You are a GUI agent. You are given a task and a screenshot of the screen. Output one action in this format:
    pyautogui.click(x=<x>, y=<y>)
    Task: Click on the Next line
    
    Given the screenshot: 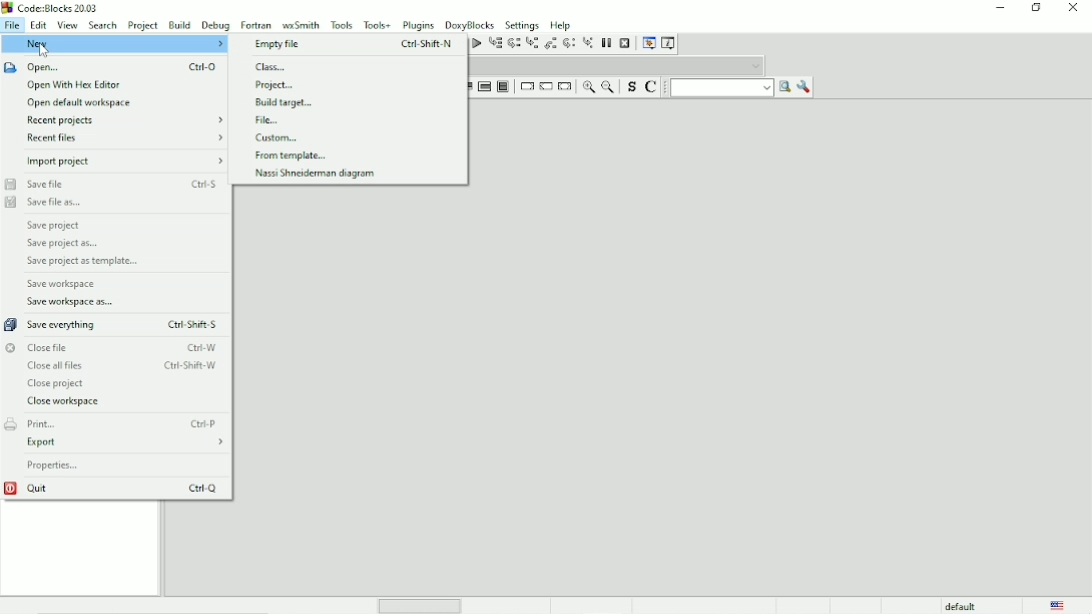 What is the action you would take?
    pyautogui.click(x=513, y=44)
    